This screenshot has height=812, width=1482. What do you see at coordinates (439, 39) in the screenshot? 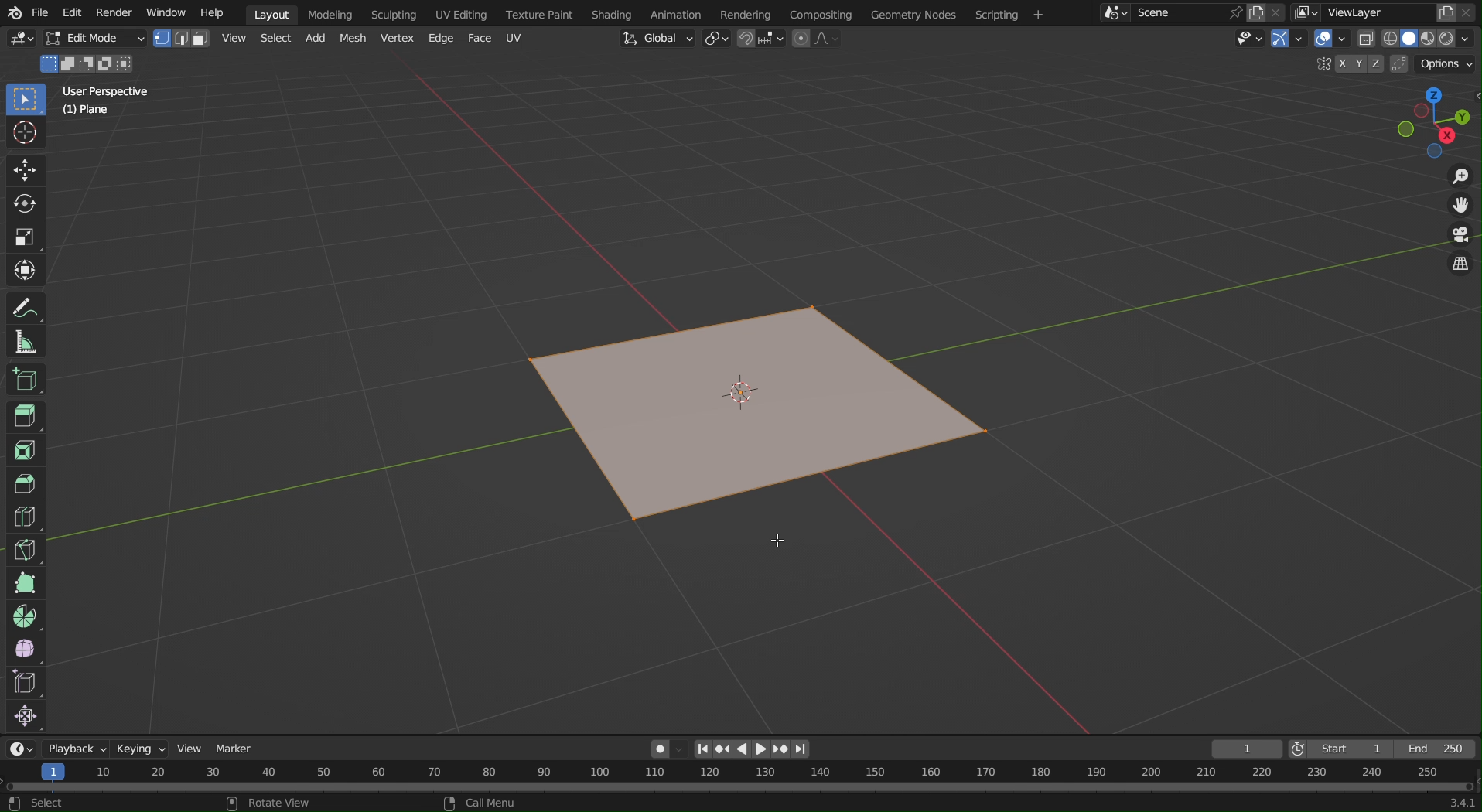
I see `Edge` at bounding box center [439, 39].